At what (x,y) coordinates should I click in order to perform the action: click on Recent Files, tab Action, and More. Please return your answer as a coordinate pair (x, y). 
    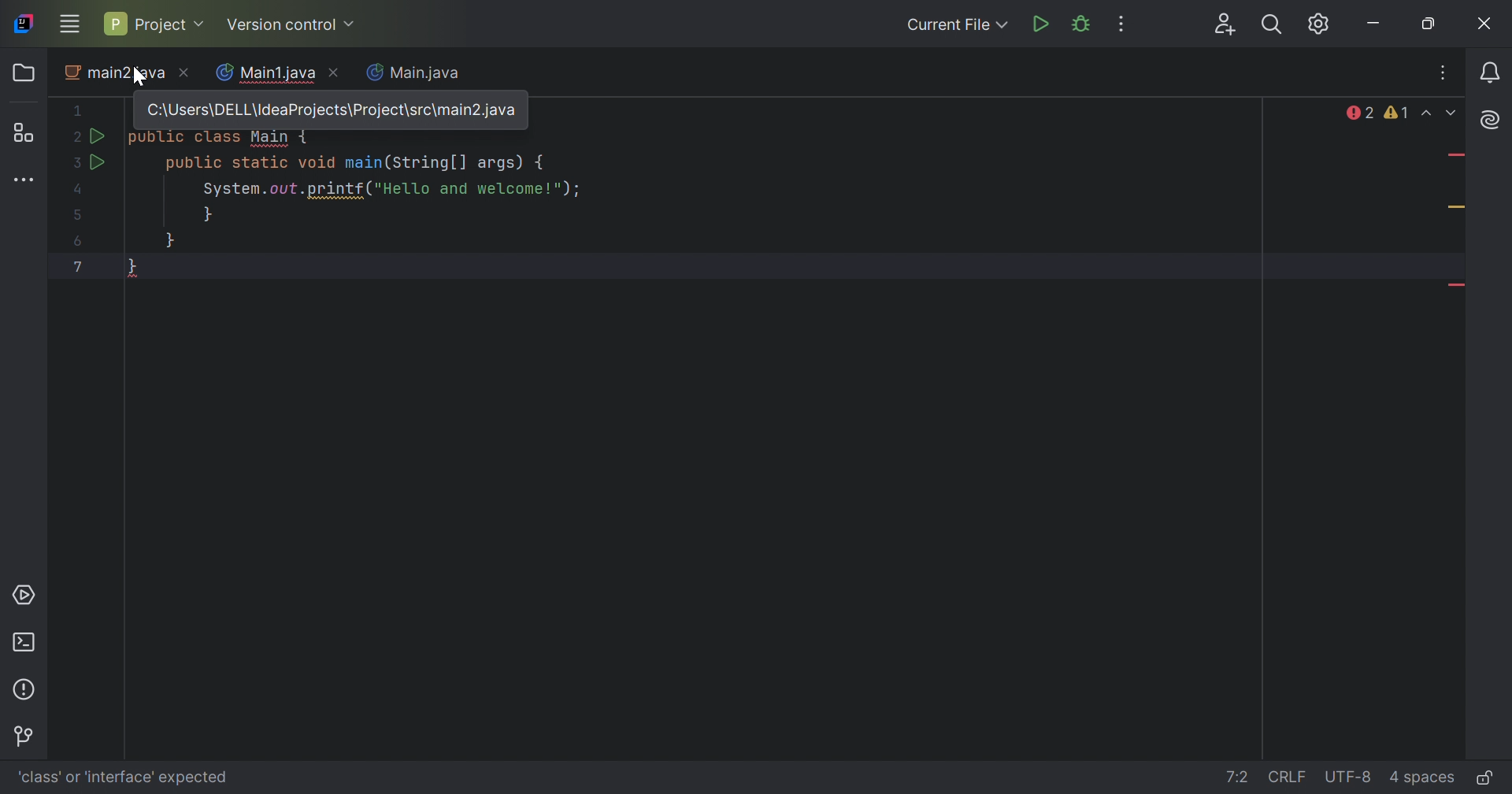
    Looking at the image, I should click on (1444, 75).